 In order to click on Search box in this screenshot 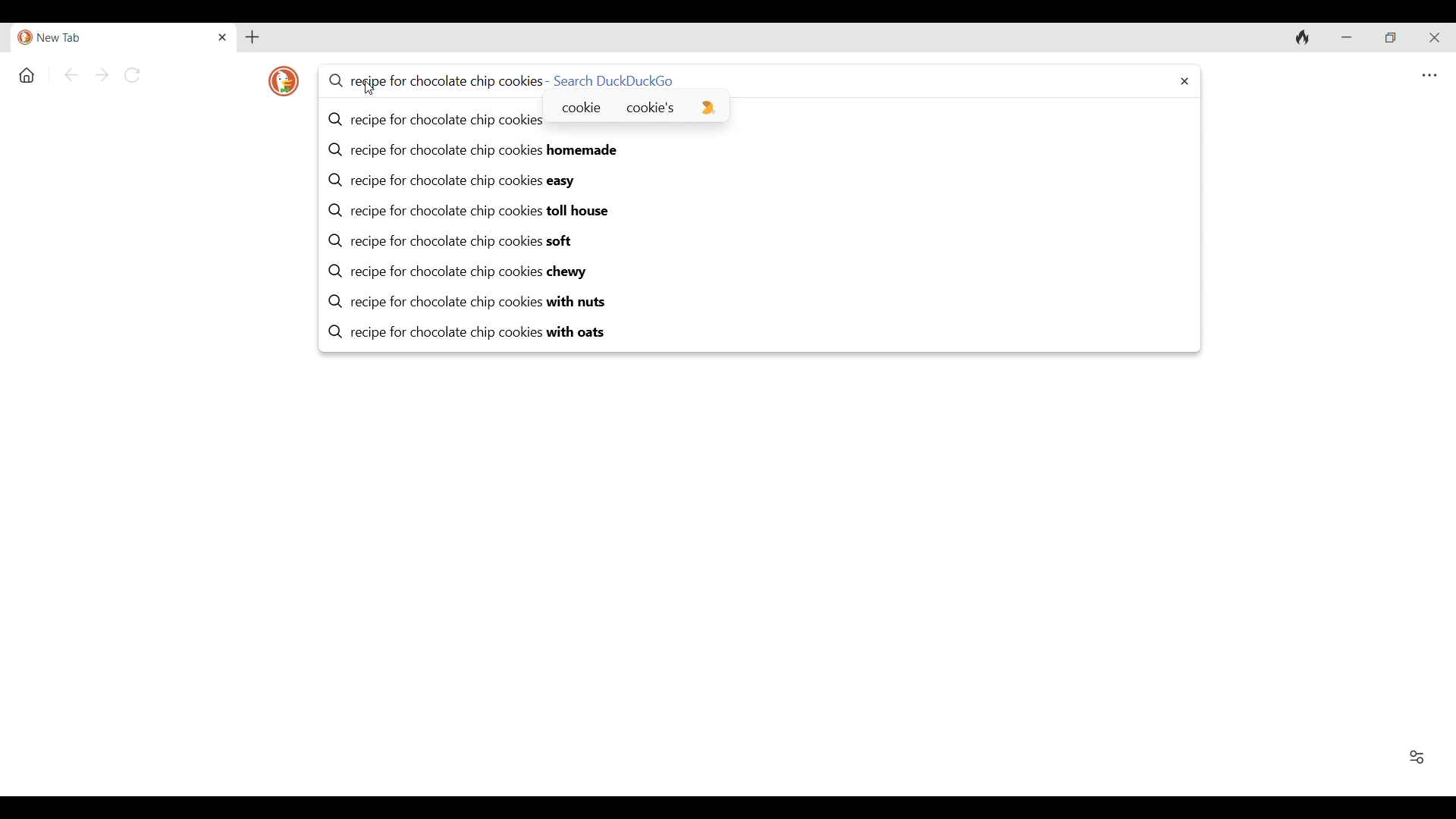, I will do `click(955, 80)`.